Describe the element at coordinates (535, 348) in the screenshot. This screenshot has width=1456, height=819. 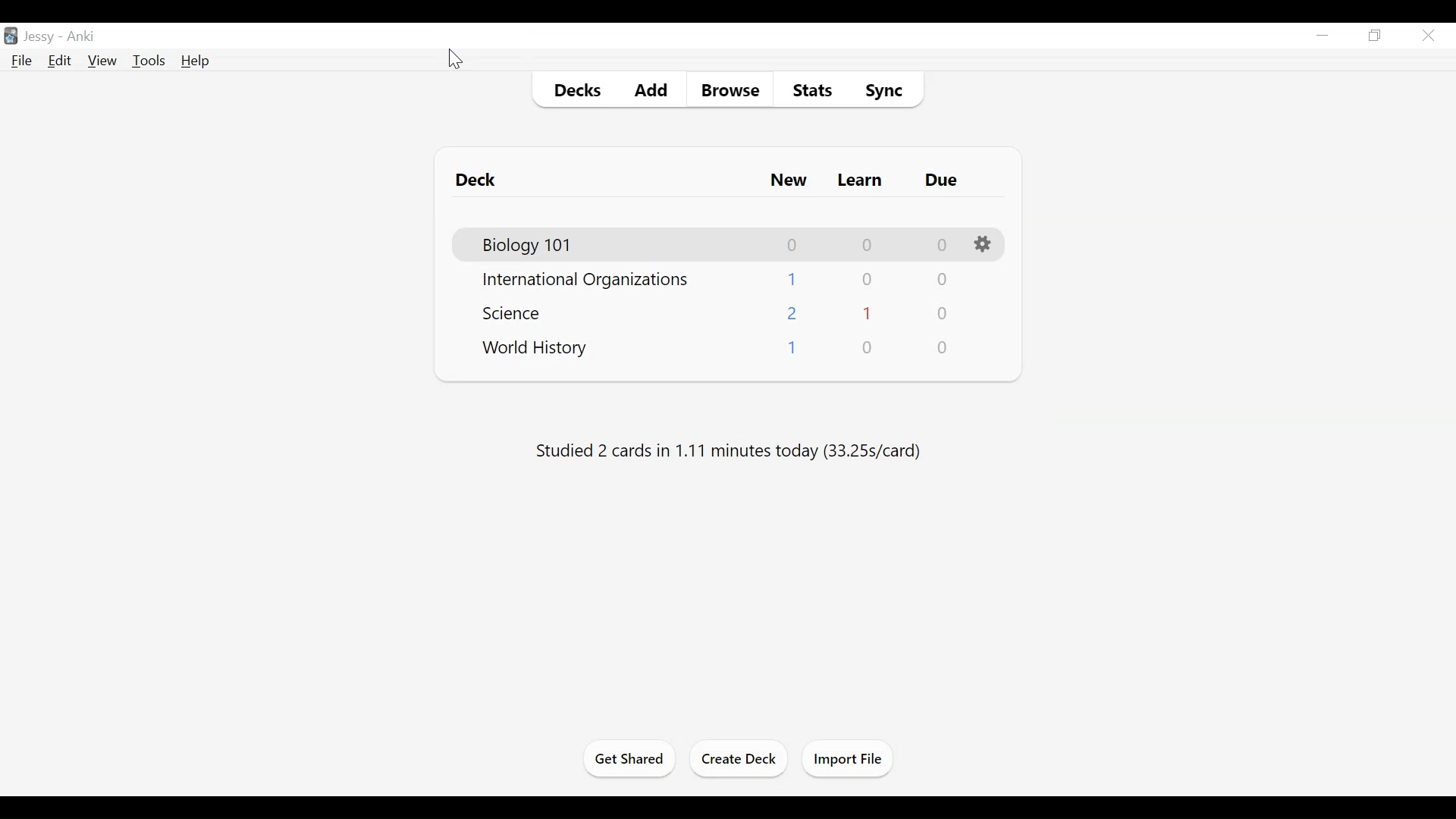
I see `Deck Name` at that location.